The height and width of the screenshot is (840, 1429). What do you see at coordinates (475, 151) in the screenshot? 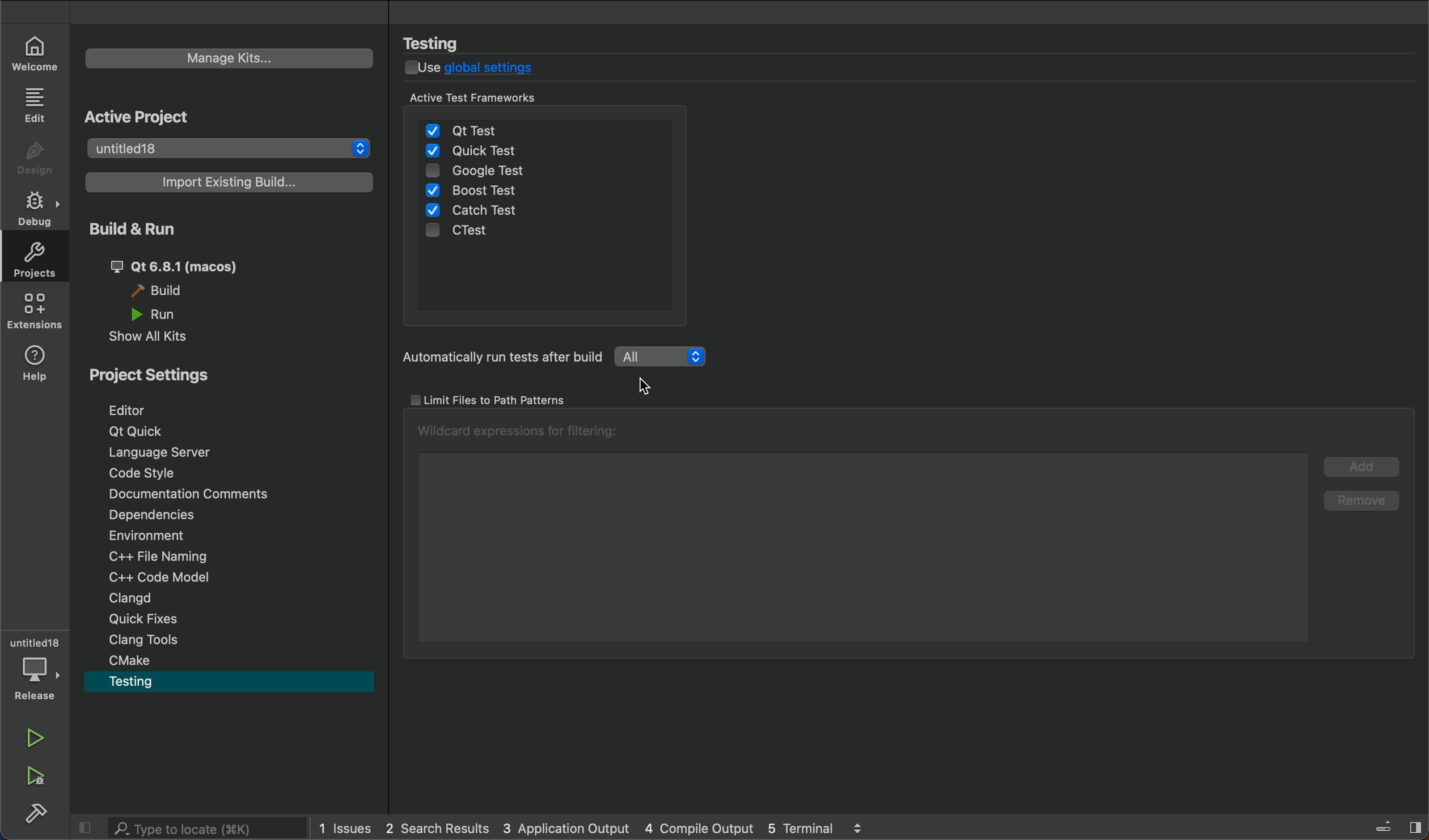
I see `quick test` at bounding box center [475, 151].